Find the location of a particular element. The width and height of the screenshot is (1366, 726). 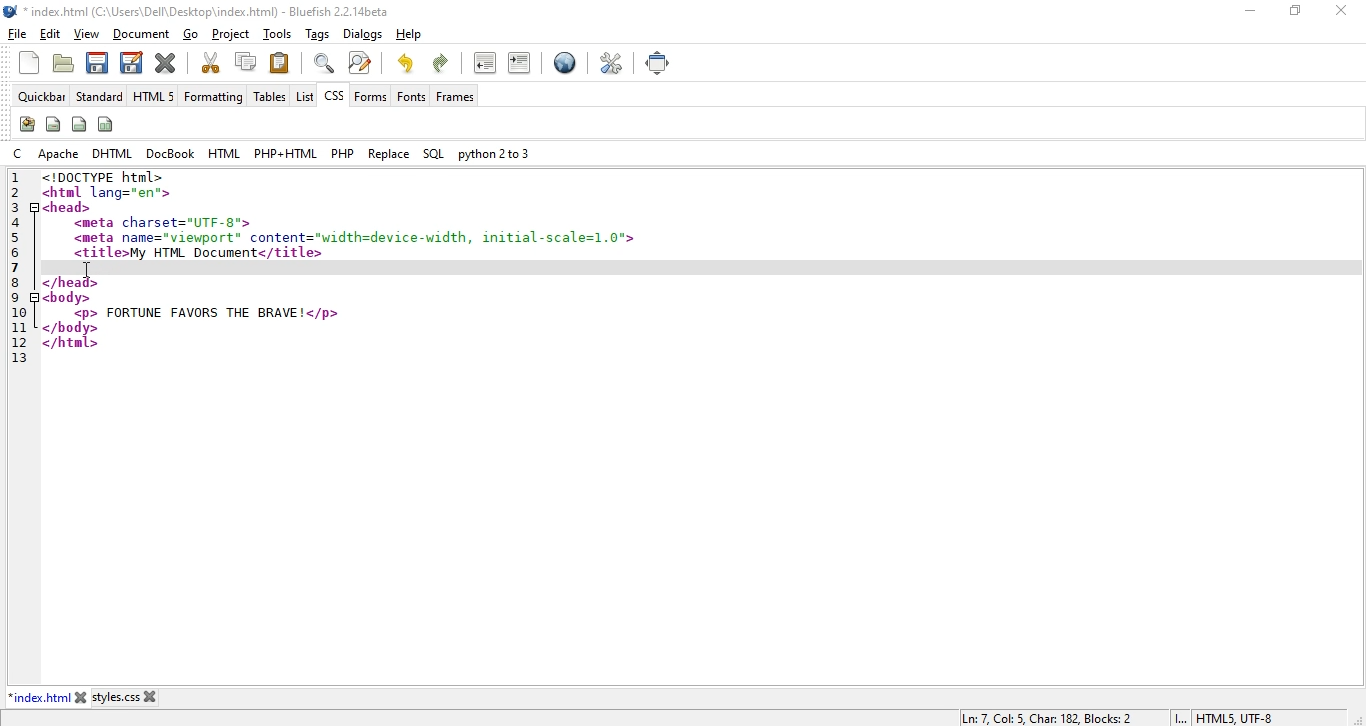

9 is located at coordinates (18, 297).